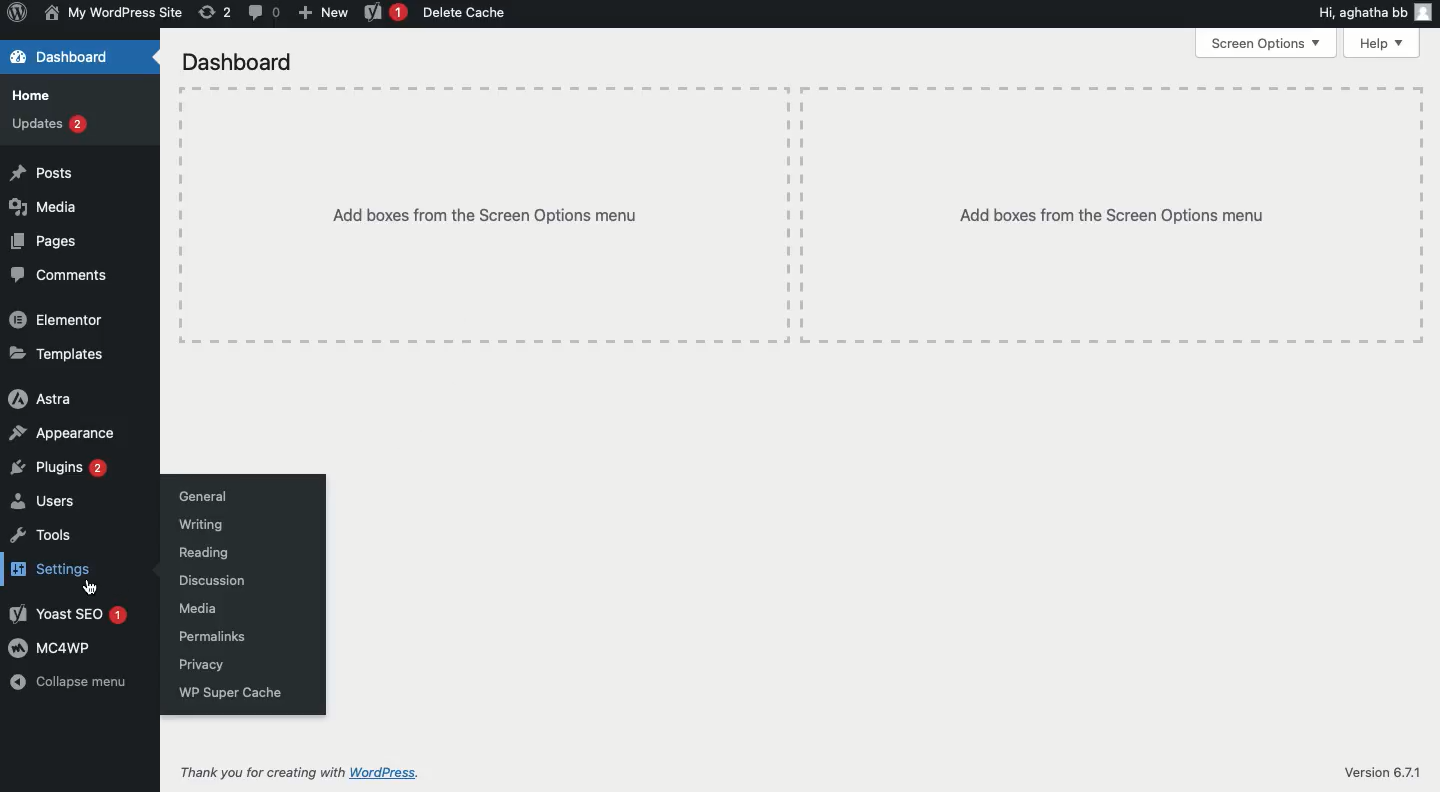 The height and width of the screenshot is (792, 1440). What do you see at coordinates (39, 536) in the screenshot?
I see `Tools` at bounding box center [39, 536].